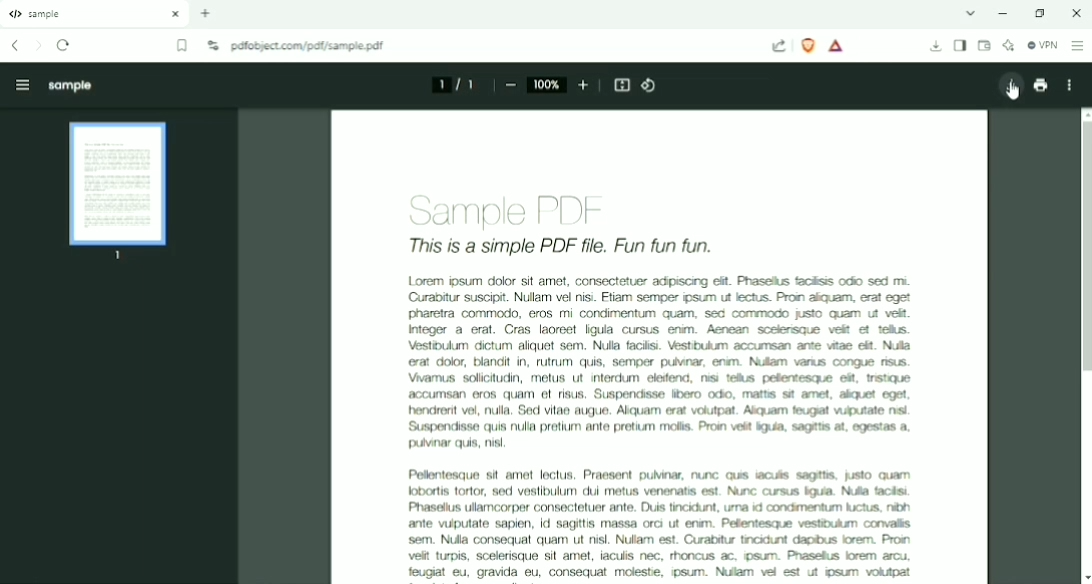  What do you see at coordinates (1042, 45) in the screenshot?
I see `Brave Firewall + VPN` at bounding box center [1042, 45].